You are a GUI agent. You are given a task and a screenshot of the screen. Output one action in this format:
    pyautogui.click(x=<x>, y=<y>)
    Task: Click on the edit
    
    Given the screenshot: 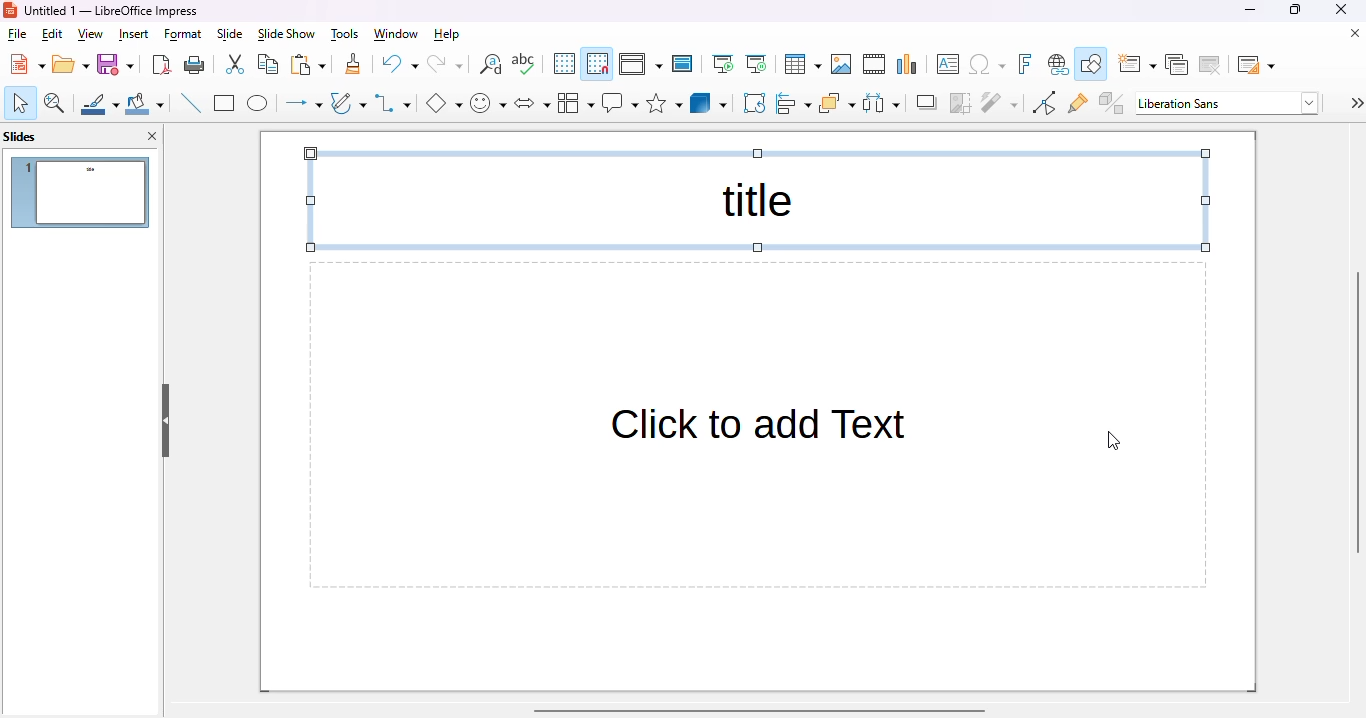 What is the action you would take?
    pyautogui.click(x=53, y=34)
    